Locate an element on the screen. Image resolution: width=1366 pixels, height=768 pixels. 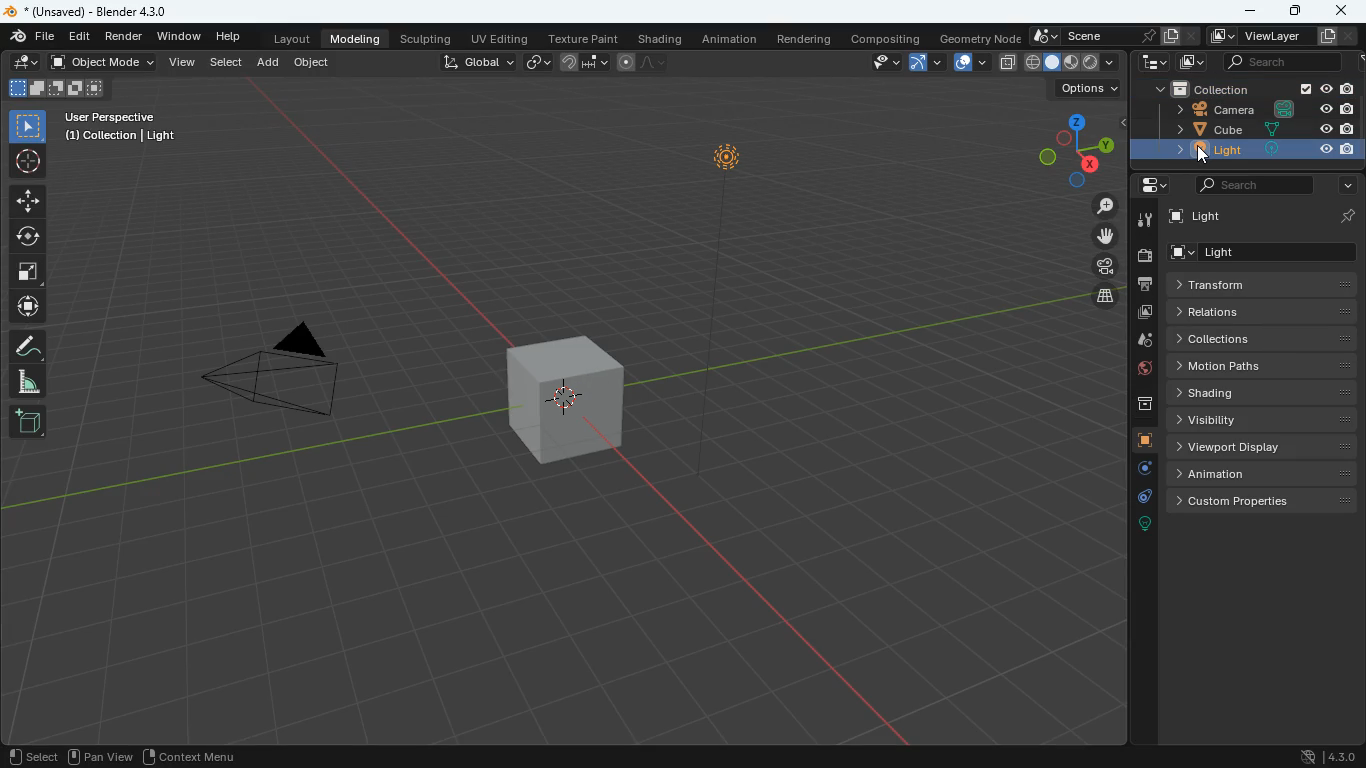
light is located at coordinates (1261, 253).